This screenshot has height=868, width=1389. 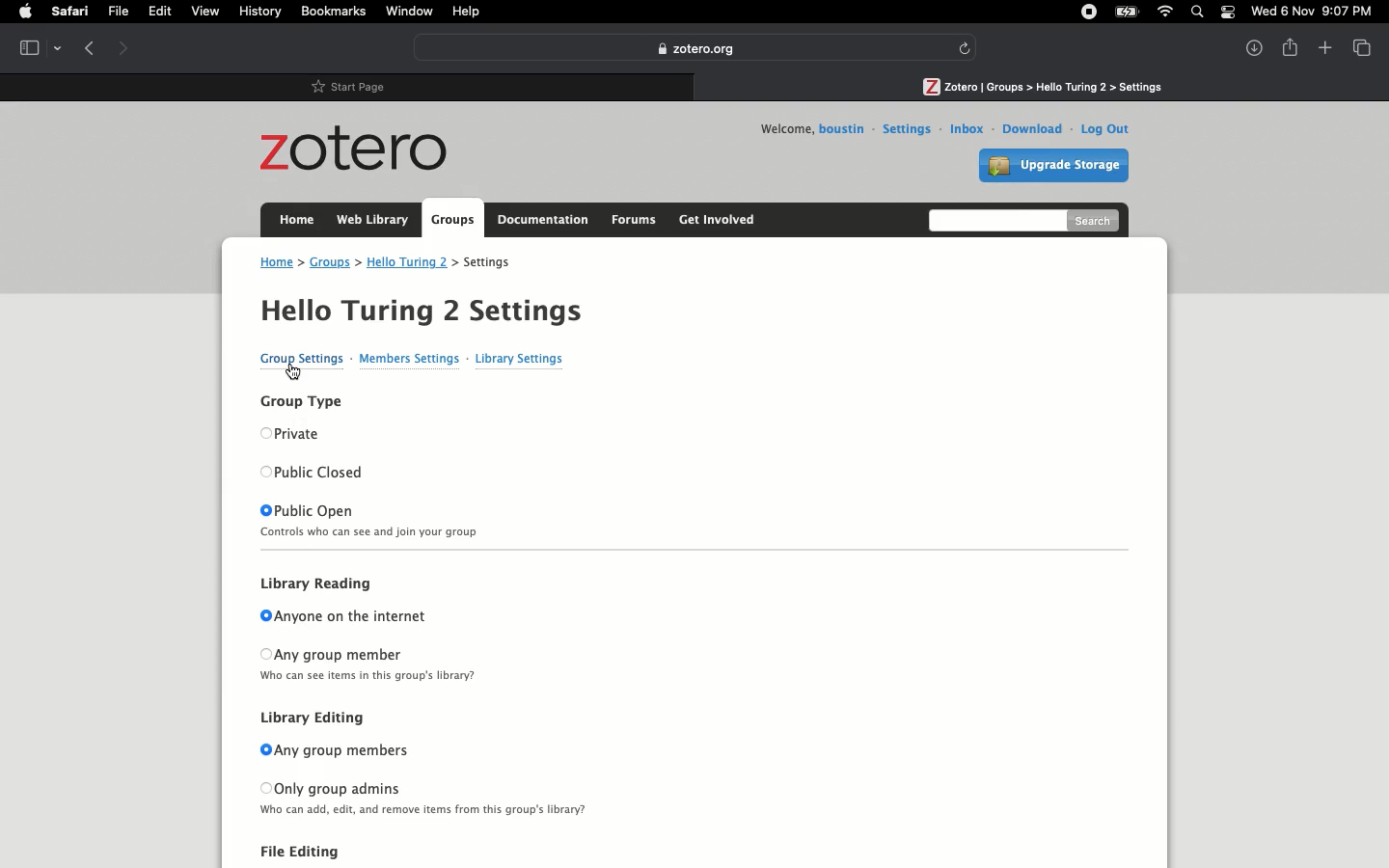 I want to click on Members settings, so click(x=407, y=359).